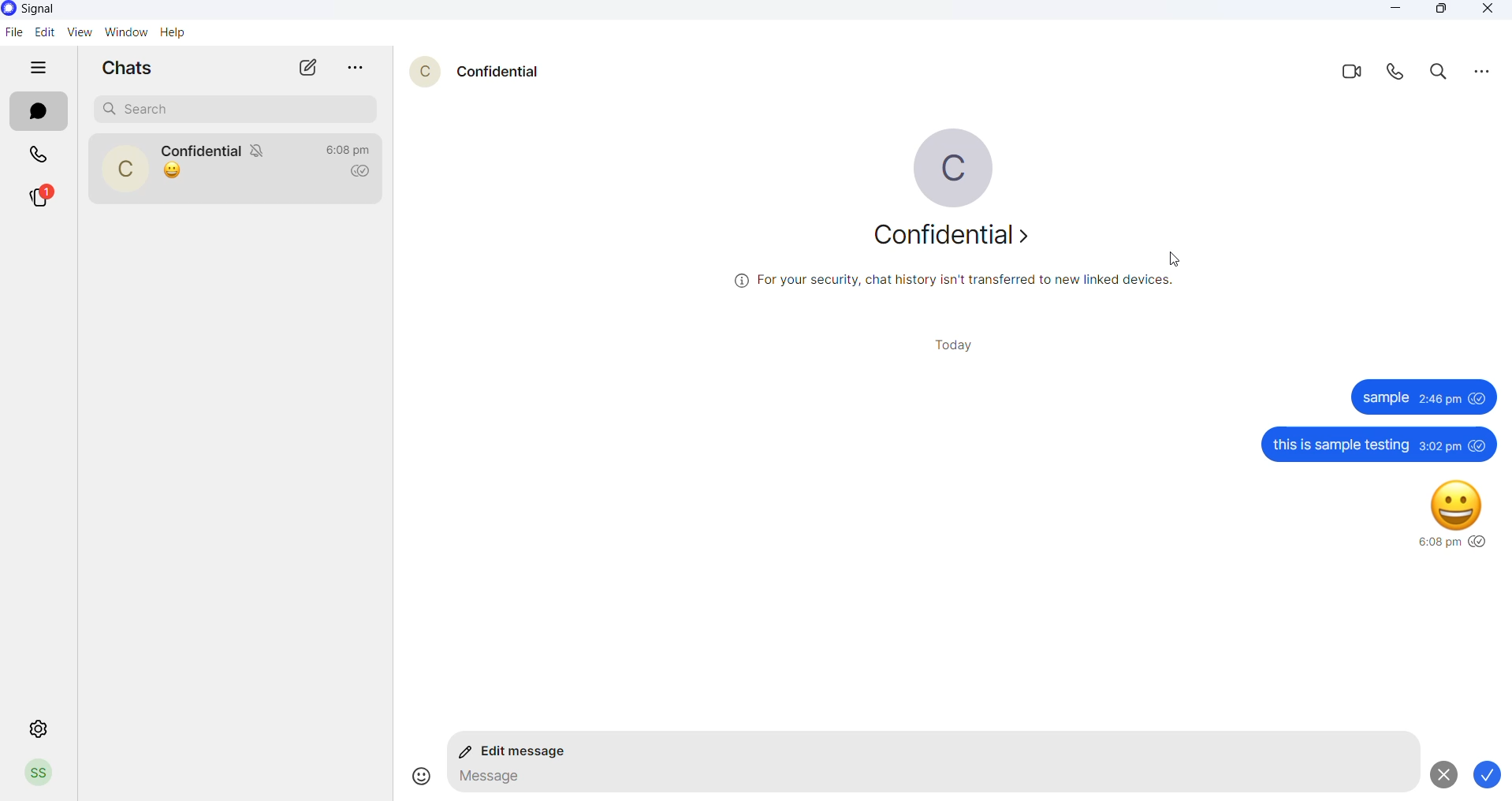 The height and width of the screenshot is (801, 1512). I want to click on seen, so click(1479, 399).